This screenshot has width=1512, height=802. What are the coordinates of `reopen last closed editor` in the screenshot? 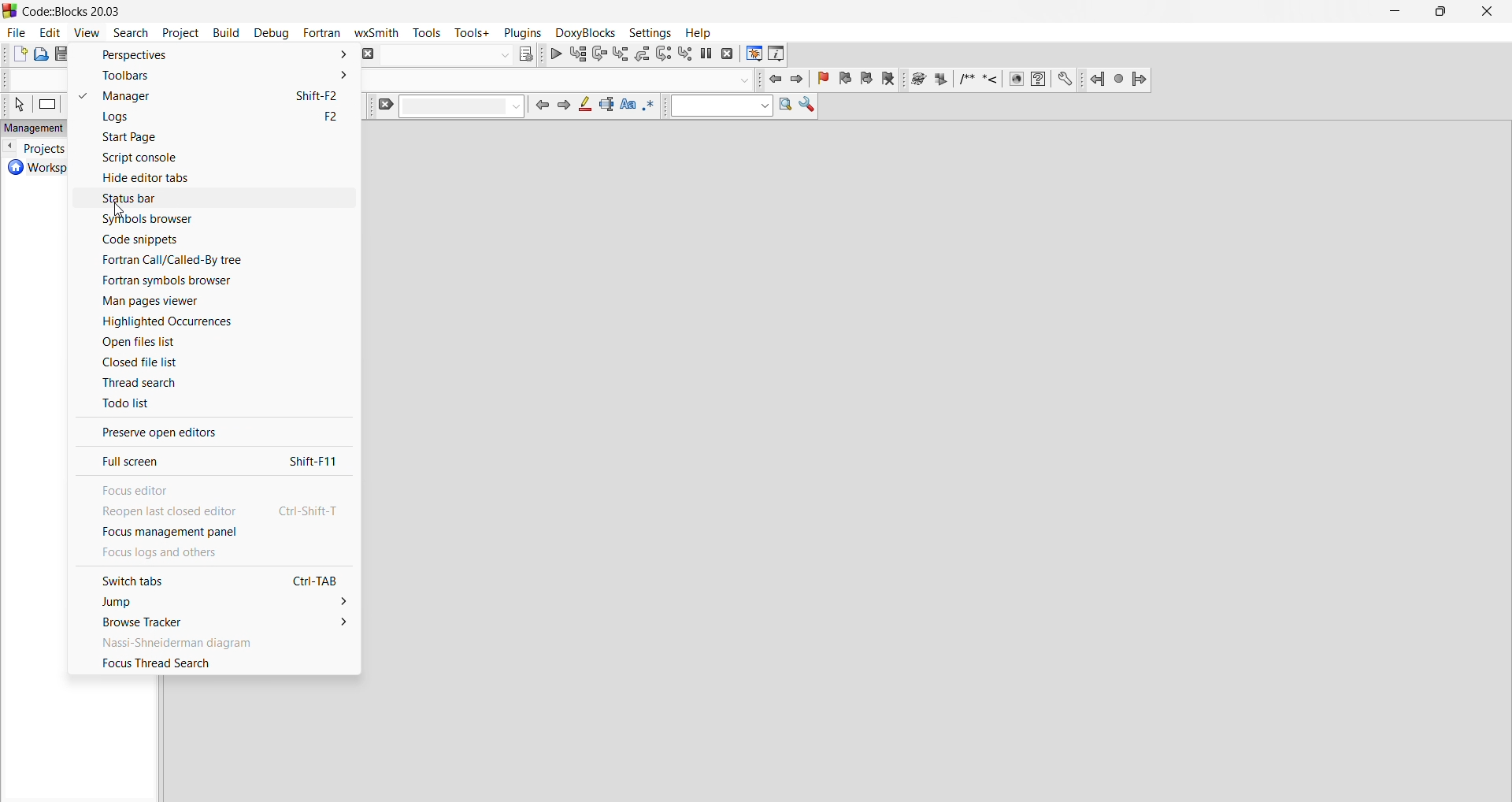 It's located at (215, 510).